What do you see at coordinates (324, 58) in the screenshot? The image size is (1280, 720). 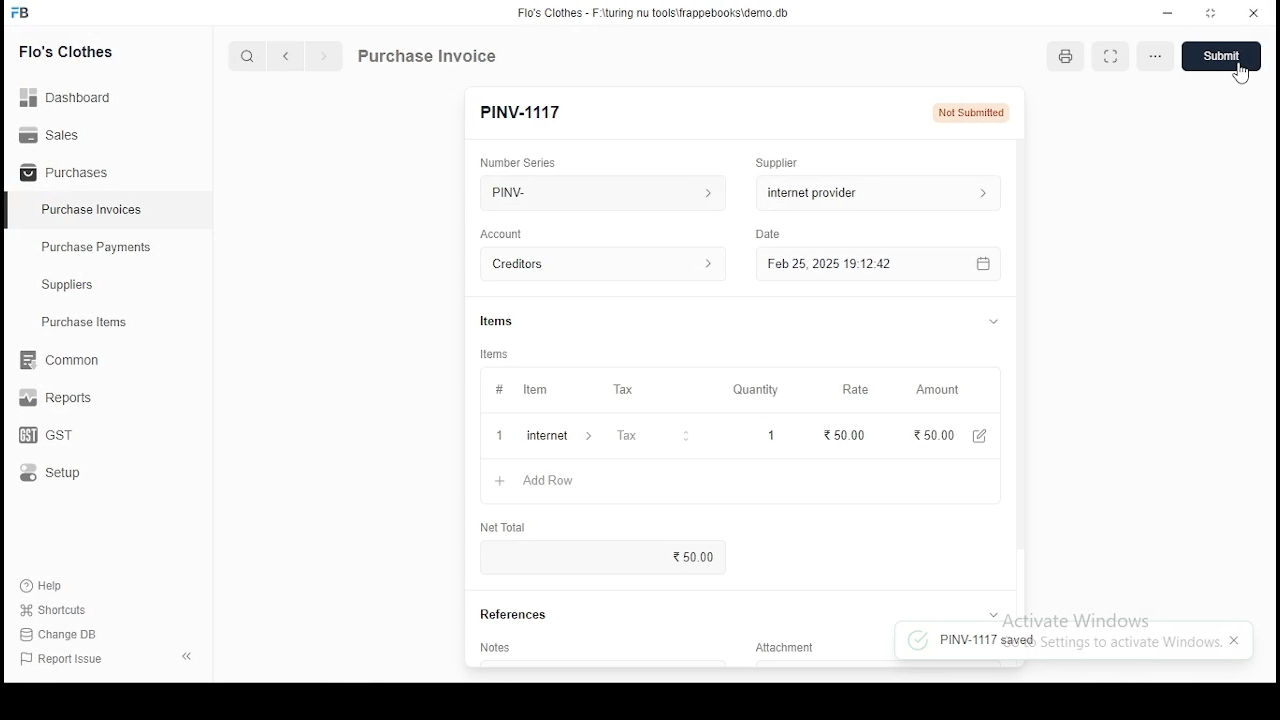 I see `next` at bounding box center [324, 58].